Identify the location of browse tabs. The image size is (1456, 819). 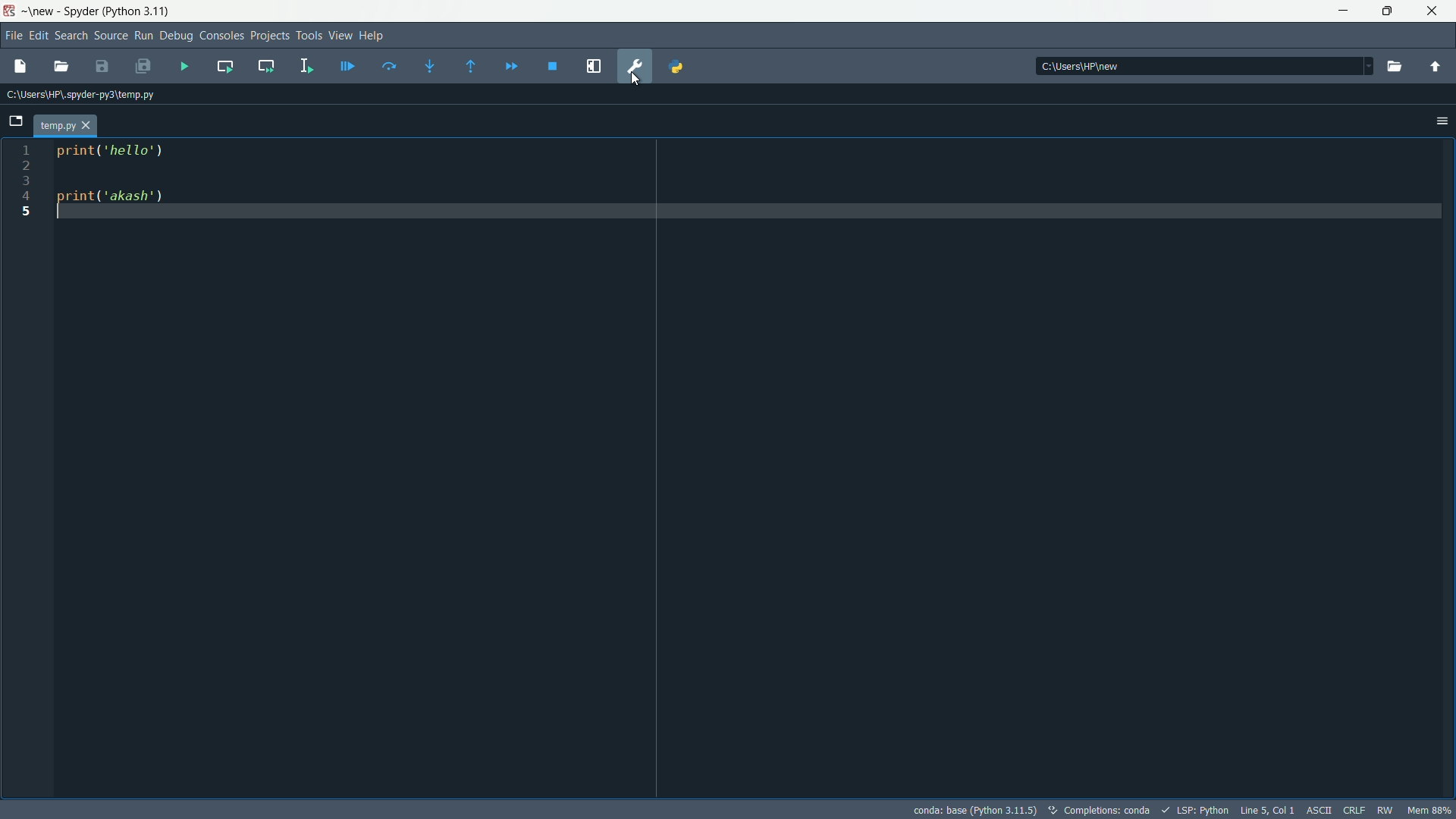
(17, 121).